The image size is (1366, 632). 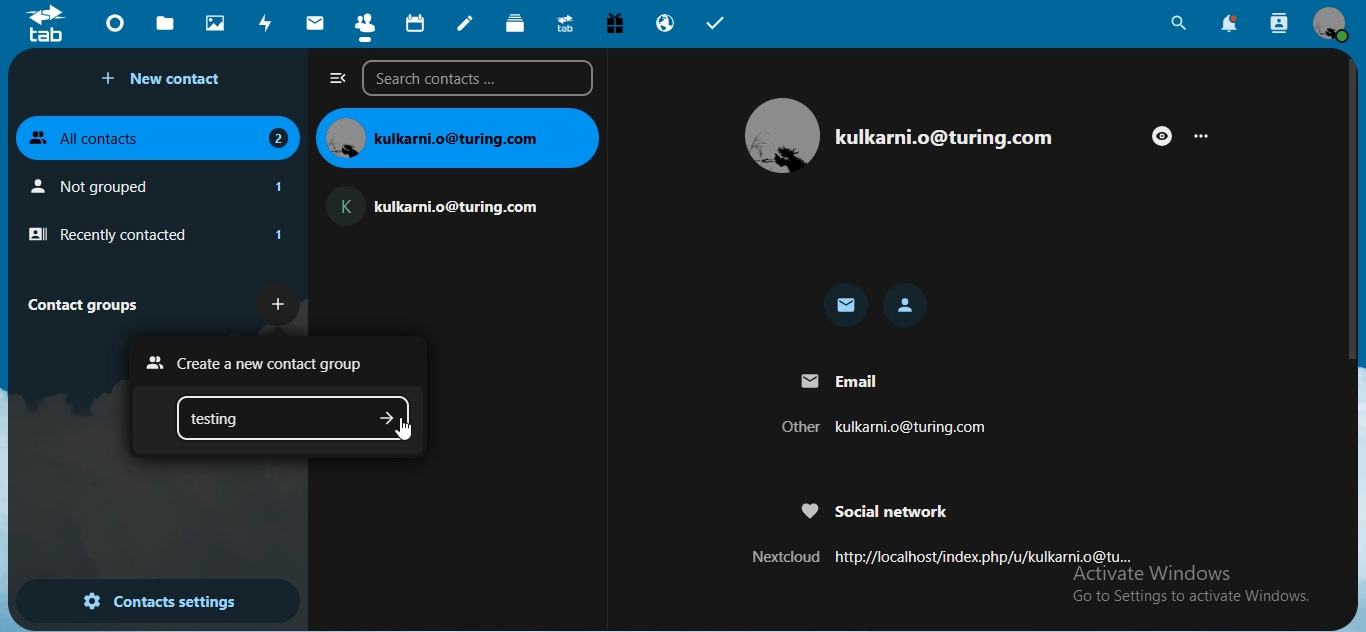 I want to click on synology, so click(x=565, y=22).